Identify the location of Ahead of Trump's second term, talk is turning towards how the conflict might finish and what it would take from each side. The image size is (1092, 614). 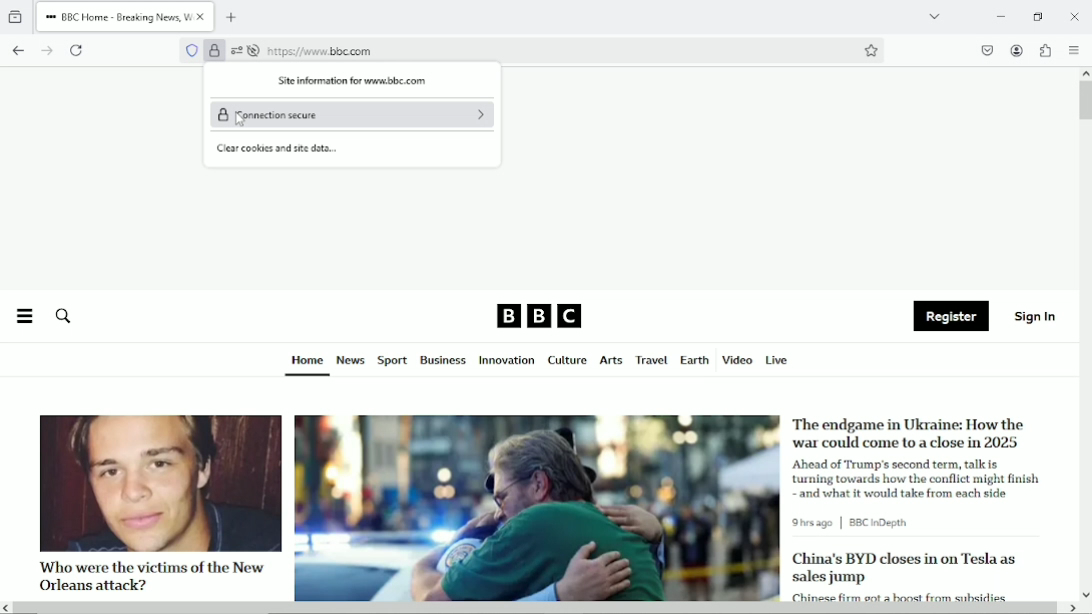
(919, 478).